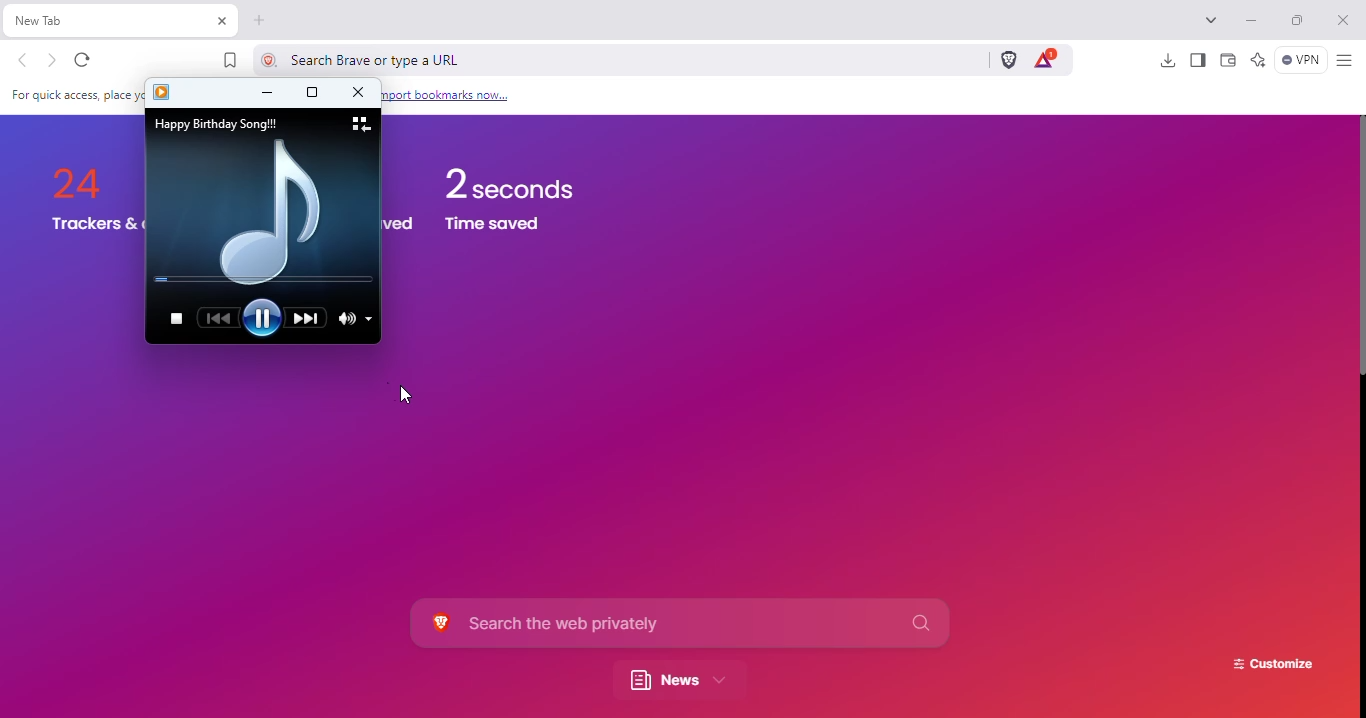  I want to click on , so click(69, 95).